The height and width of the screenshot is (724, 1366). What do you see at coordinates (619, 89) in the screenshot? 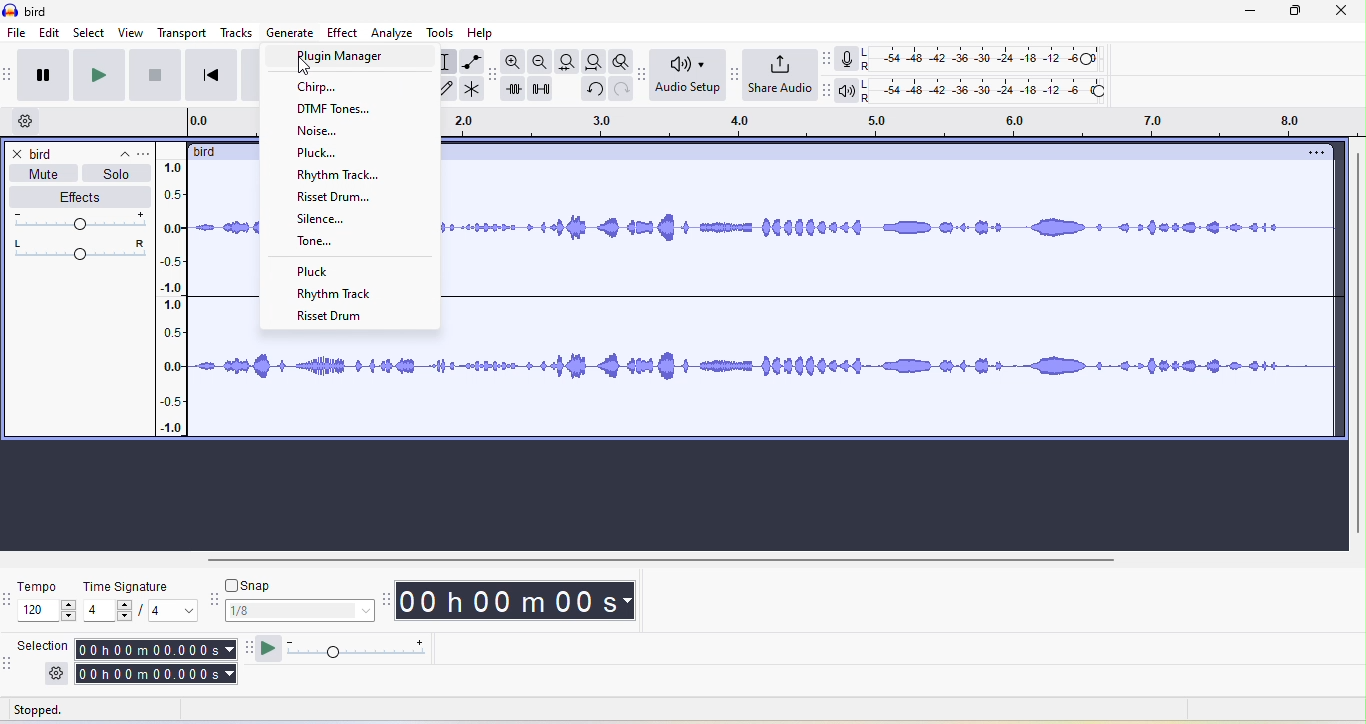
I see `redo` at bounding box center [619, 89].